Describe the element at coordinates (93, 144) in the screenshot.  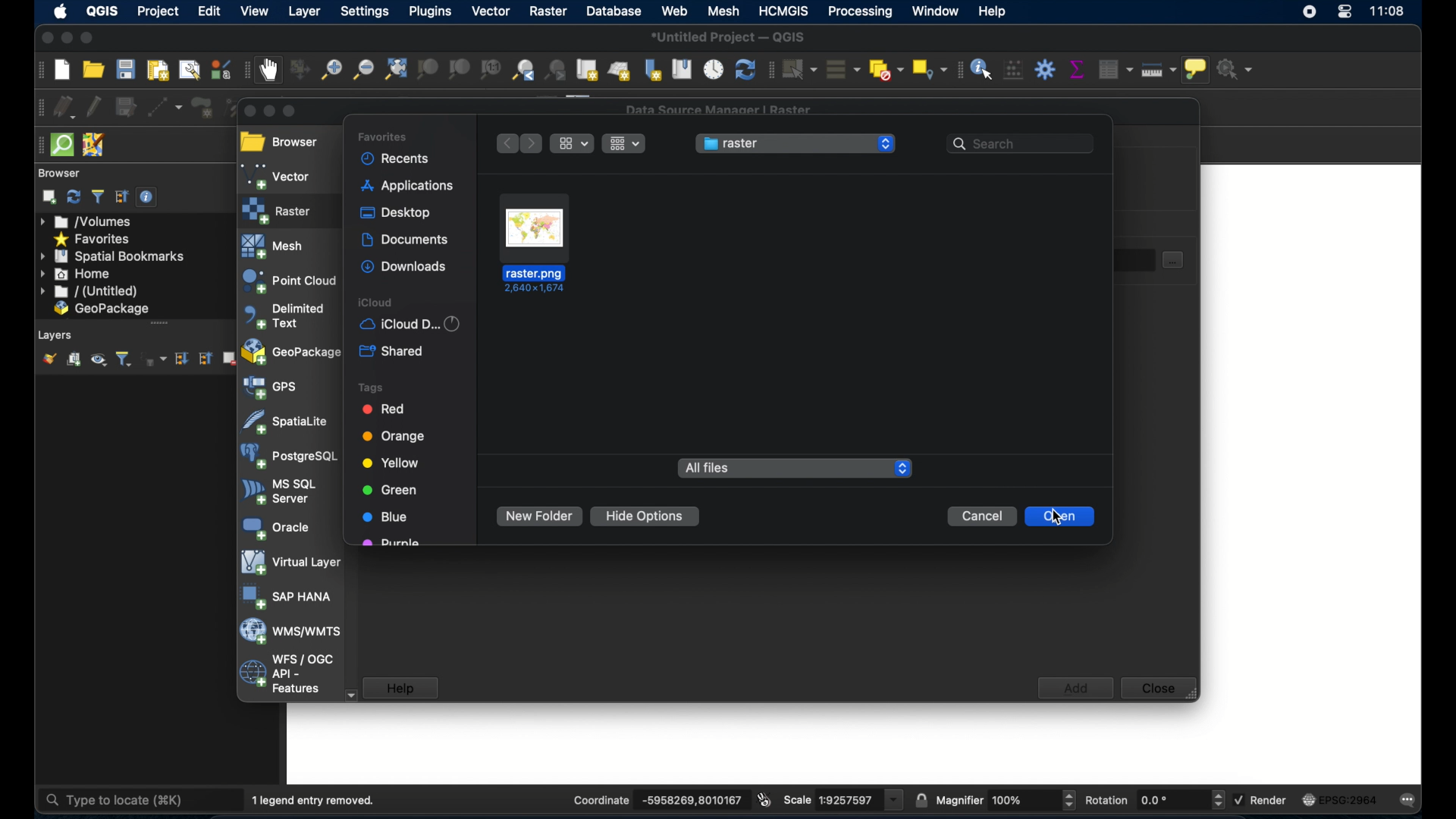
I see `josh remote` at that location.